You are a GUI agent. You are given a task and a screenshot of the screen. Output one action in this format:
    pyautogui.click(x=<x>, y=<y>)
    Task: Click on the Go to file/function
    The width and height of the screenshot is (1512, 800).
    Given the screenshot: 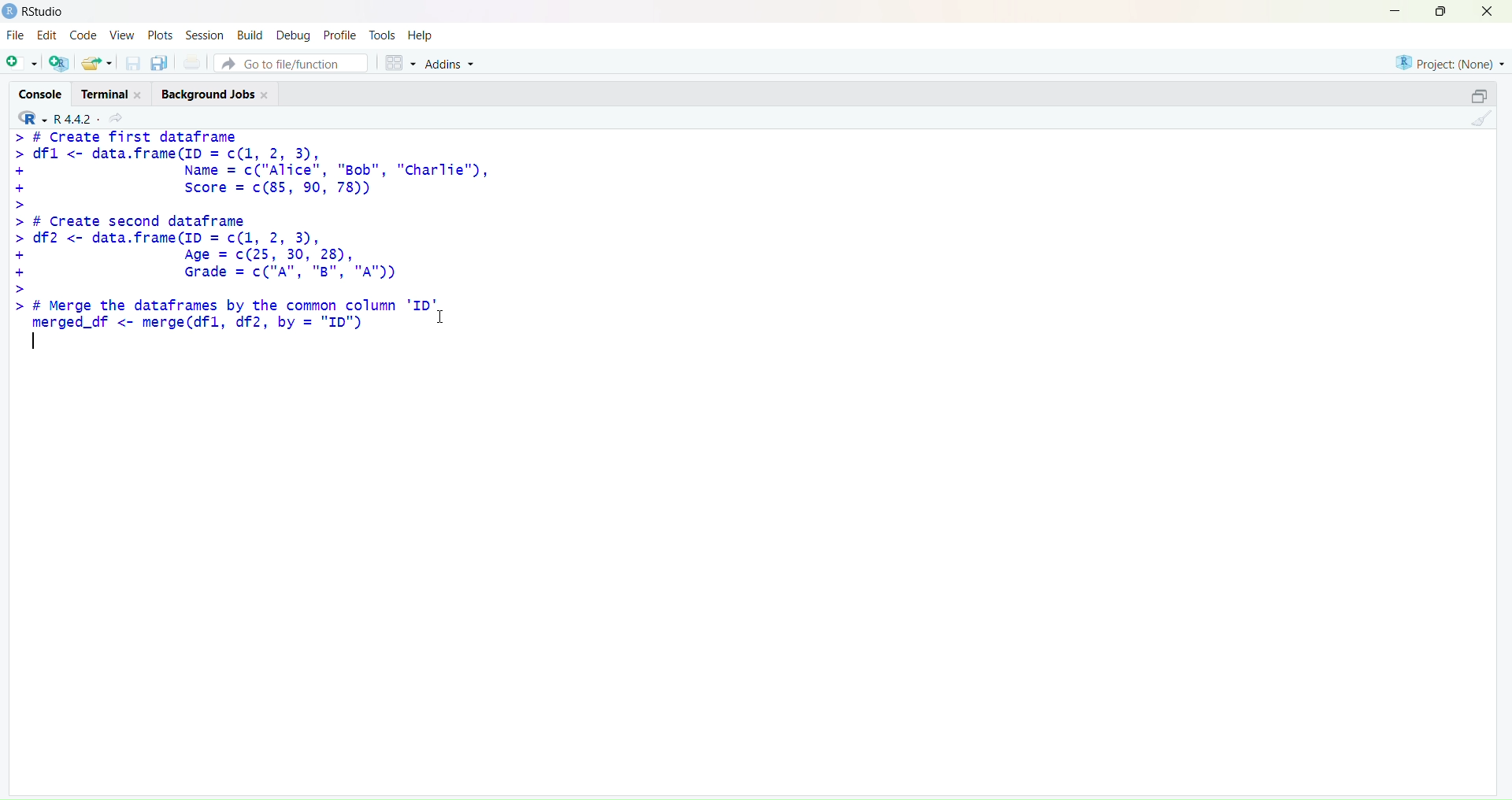 What is the action you would take?
    pyautogui.click(x=291, y=63)
    